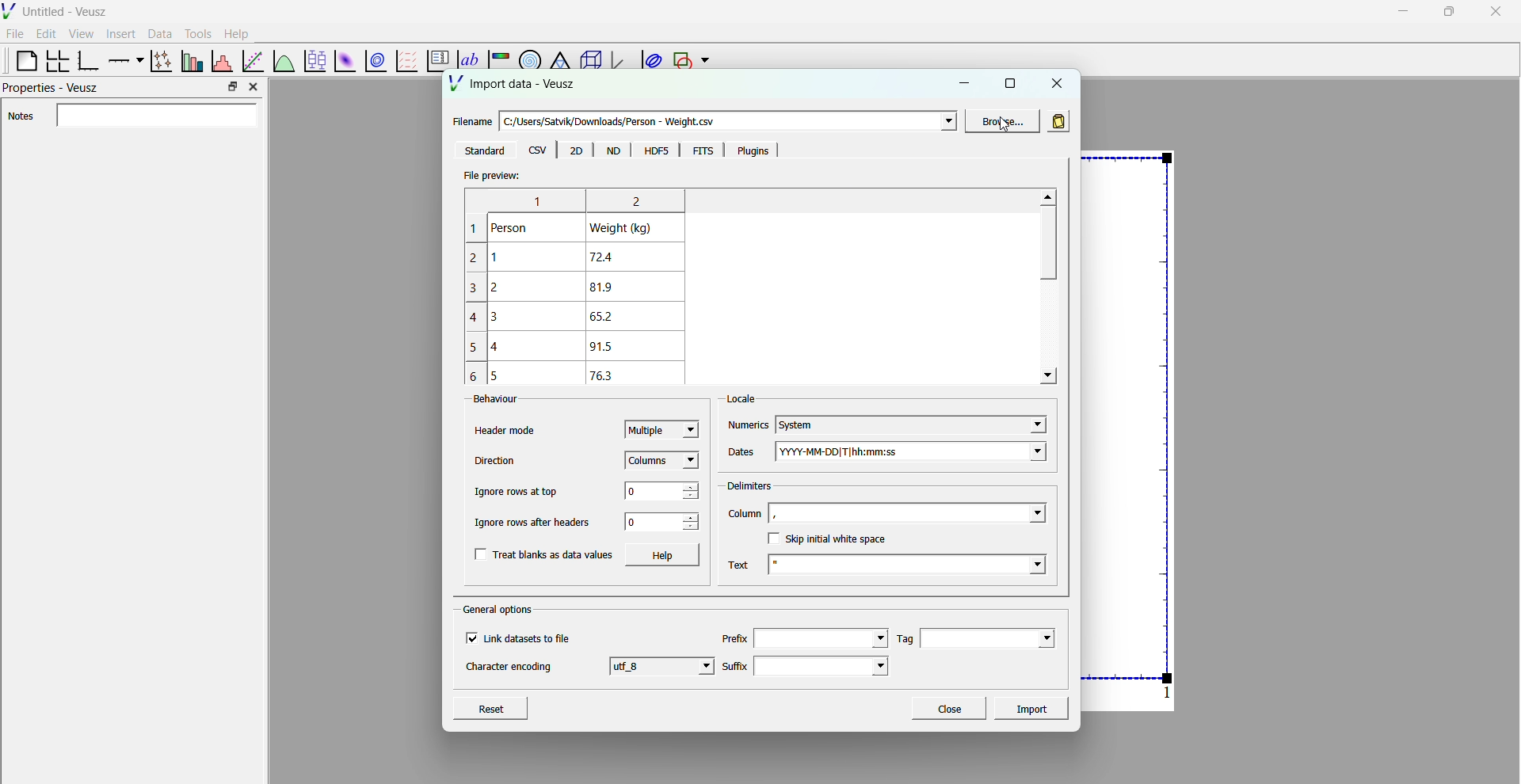 The height and width of the screenshot is (784, 1521). I want to click on Ignore rows at top, so click(516, 491).